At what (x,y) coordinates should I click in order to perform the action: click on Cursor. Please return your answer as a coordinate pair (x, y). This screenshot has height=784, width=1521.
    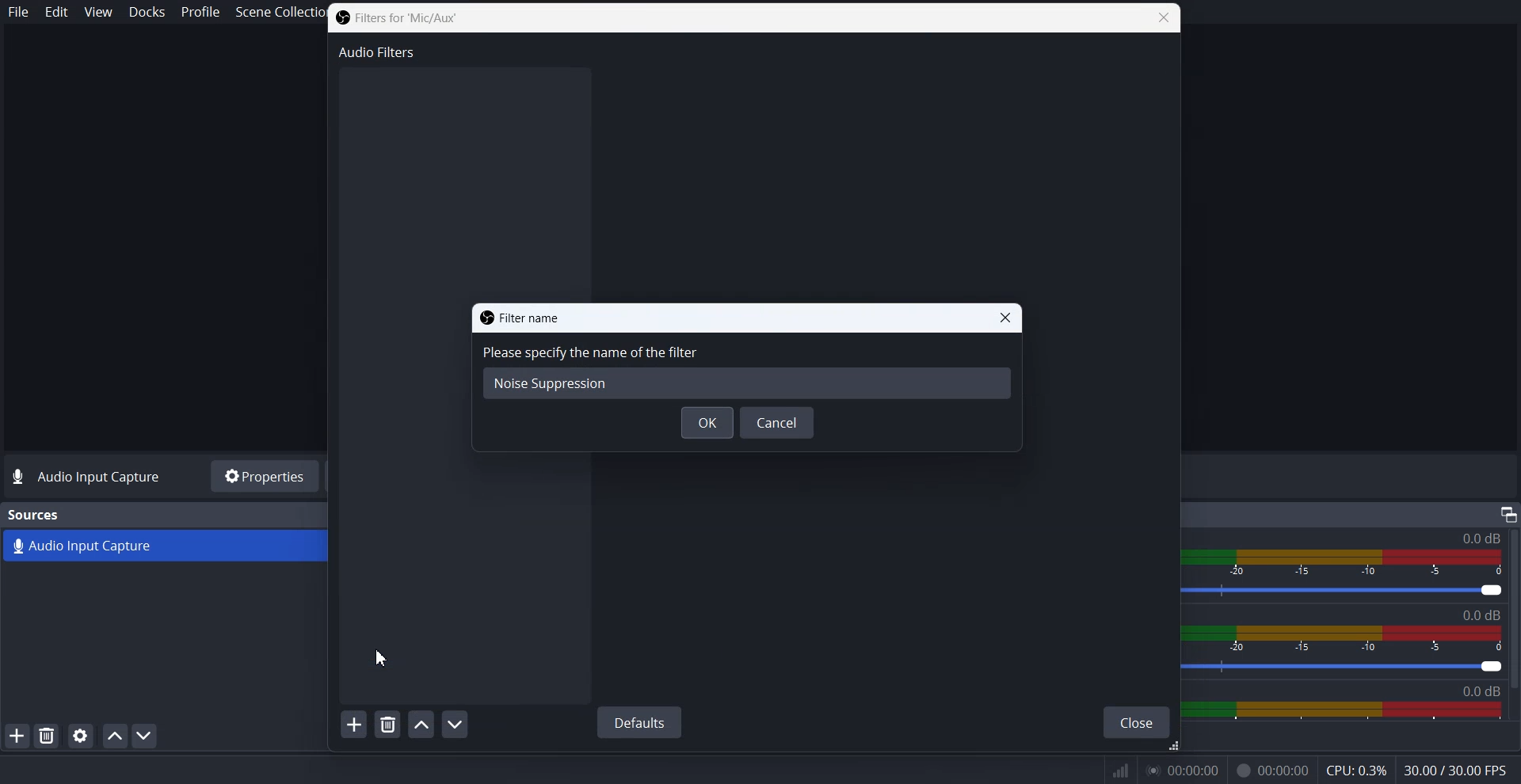
    Looking at the image, I should click on (382, 657).